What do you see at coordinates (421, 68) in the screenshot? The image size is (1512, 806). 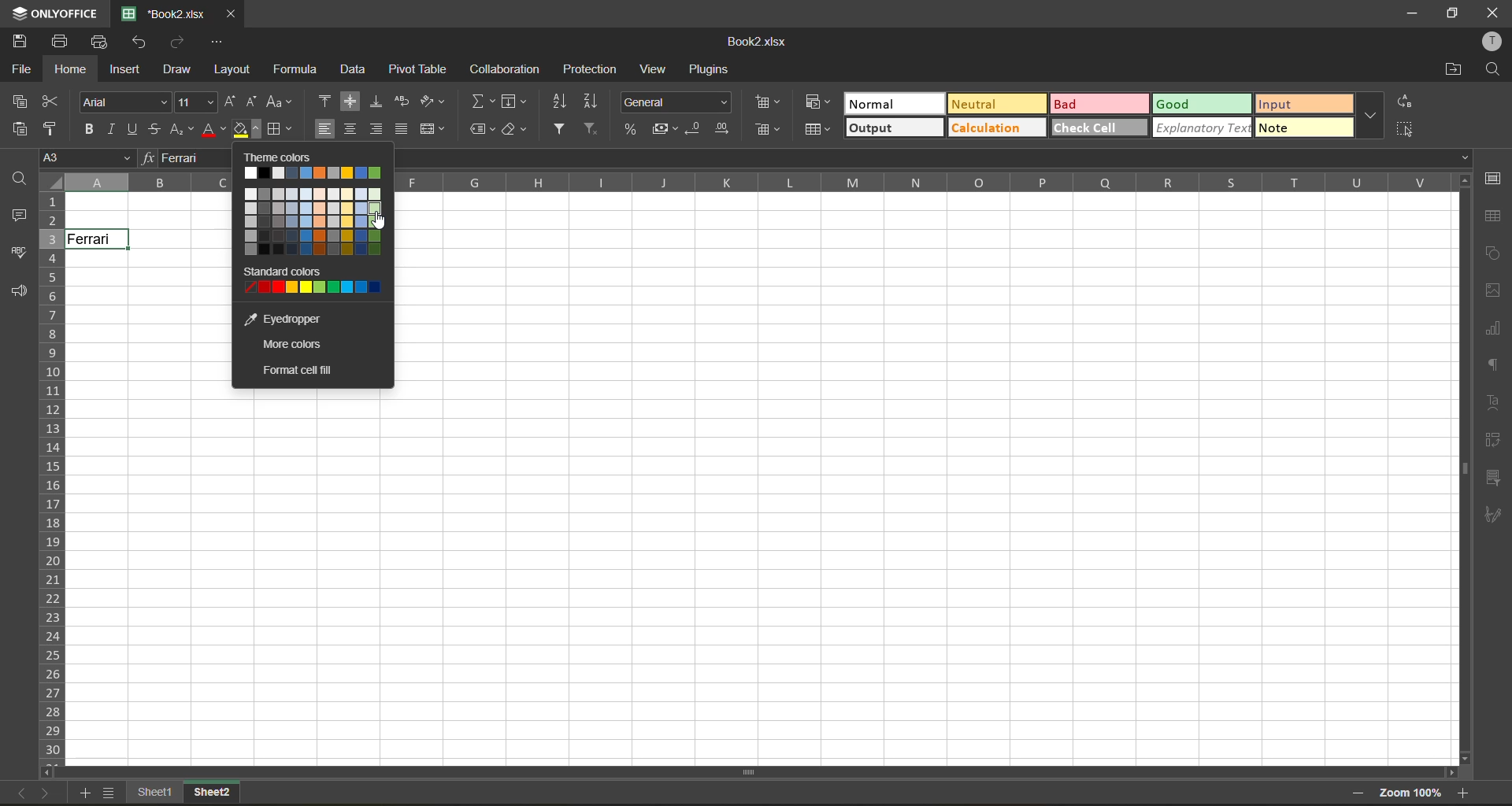 I see `pivot table` at bounding box center [421, 68].